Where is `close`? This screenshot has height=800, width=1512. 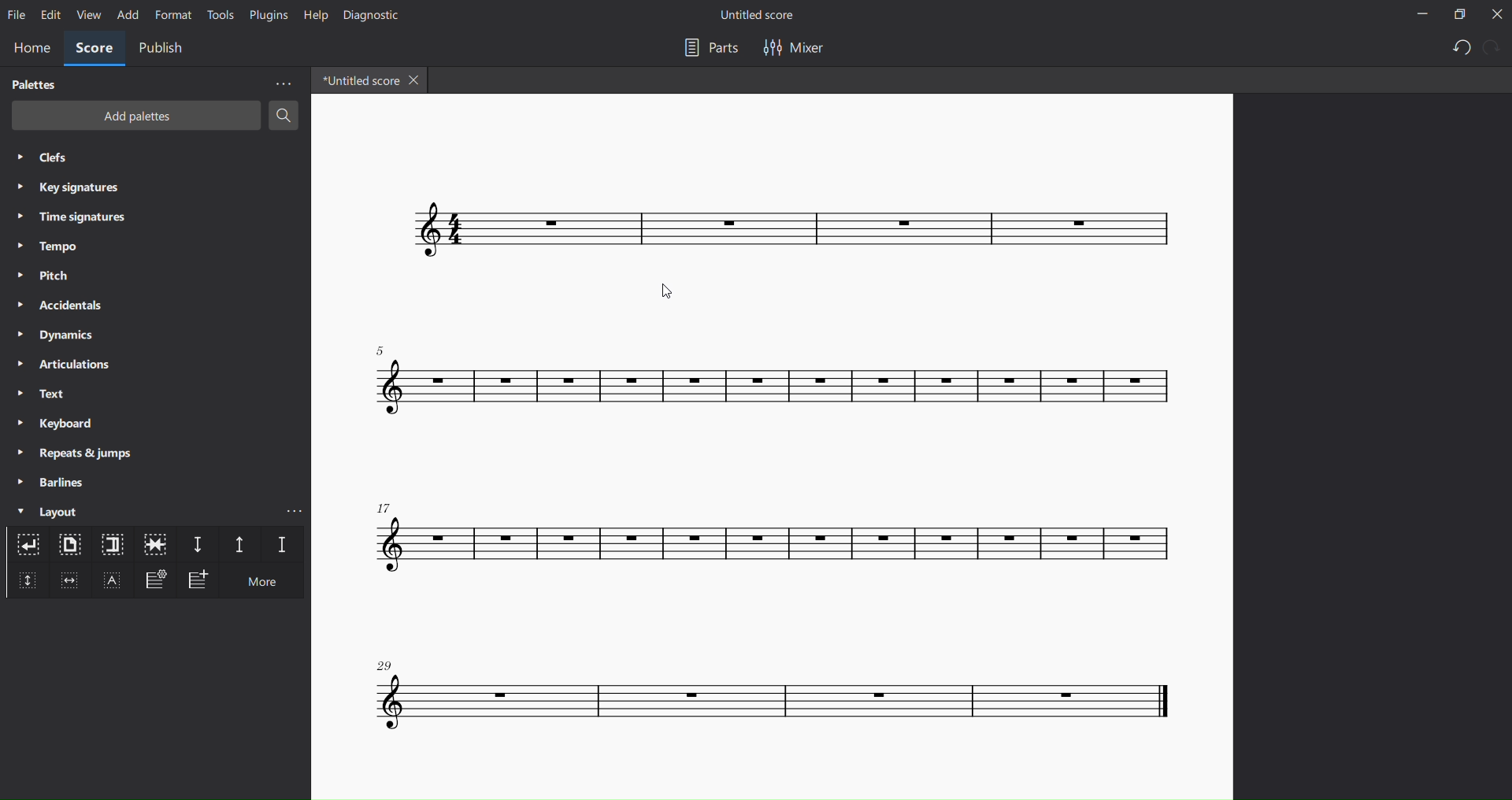 close is located at coordinates (1495, 15).